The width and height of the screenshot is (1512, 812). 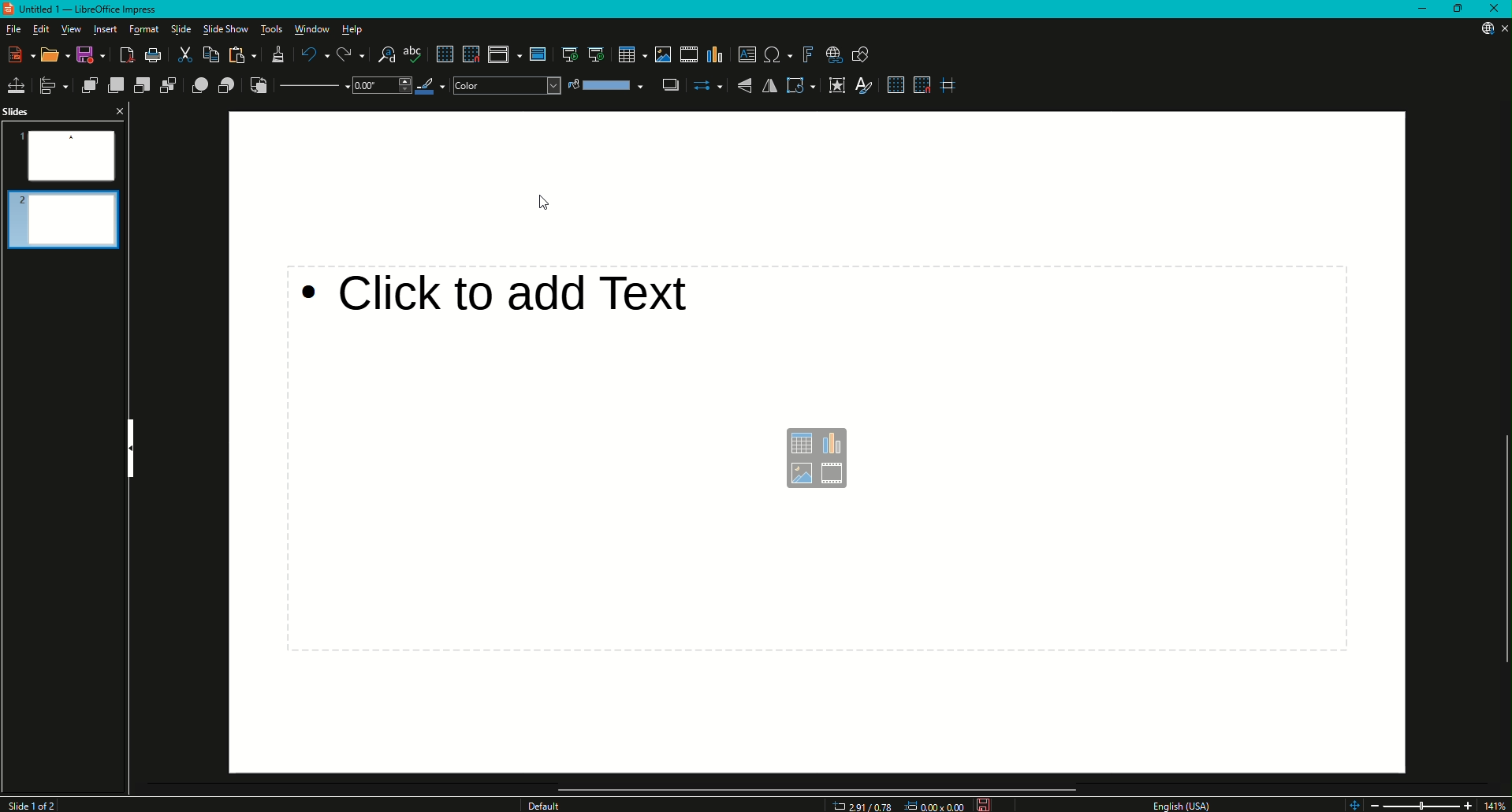 What do you see at coordinates (28, 803) in the screenshot?
I see `Slide 1 of 2` at bounding box center [28, 803].